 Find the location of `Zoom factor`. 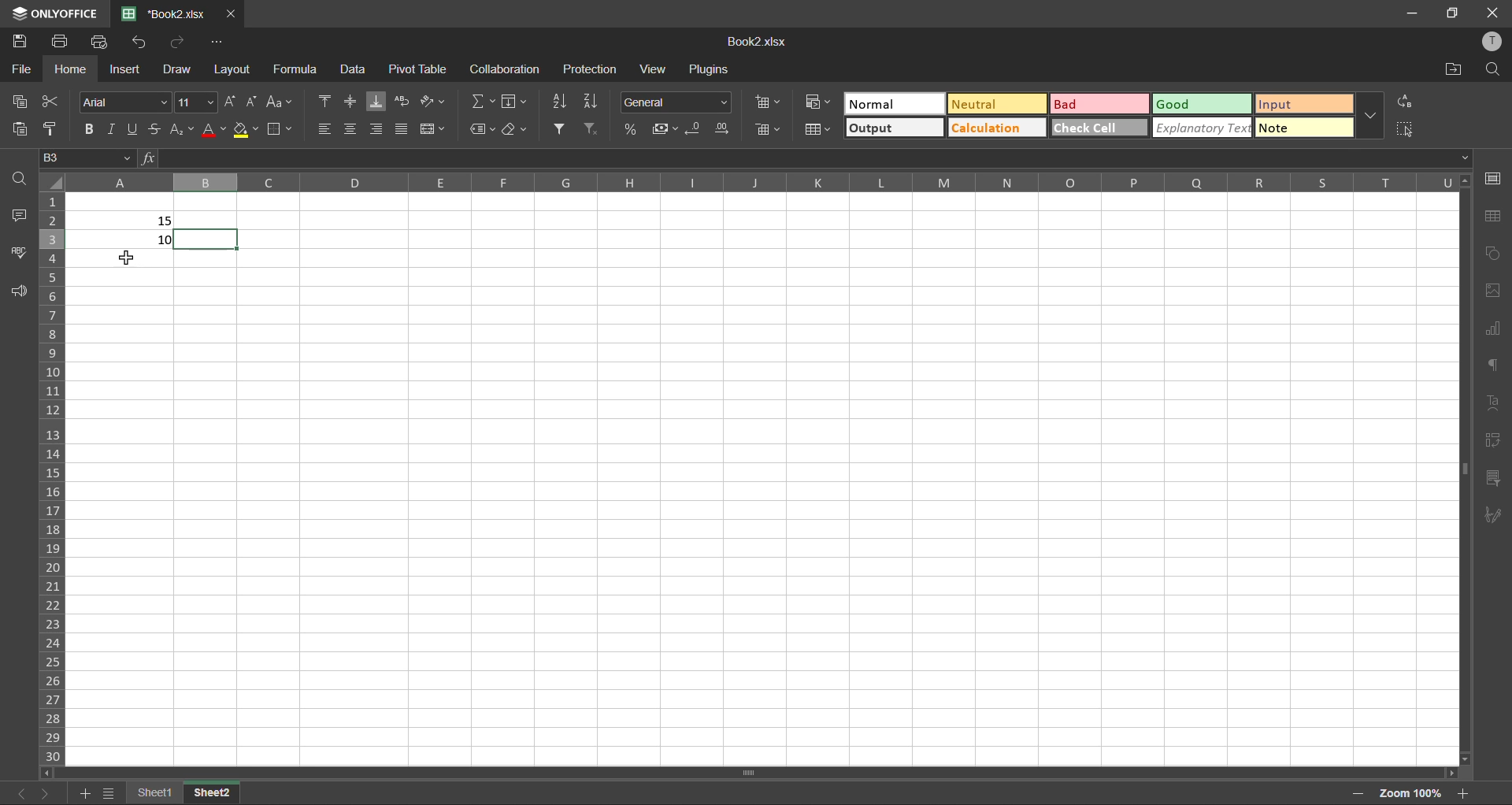

Zoom factor is located at coordinates (1410, 792).